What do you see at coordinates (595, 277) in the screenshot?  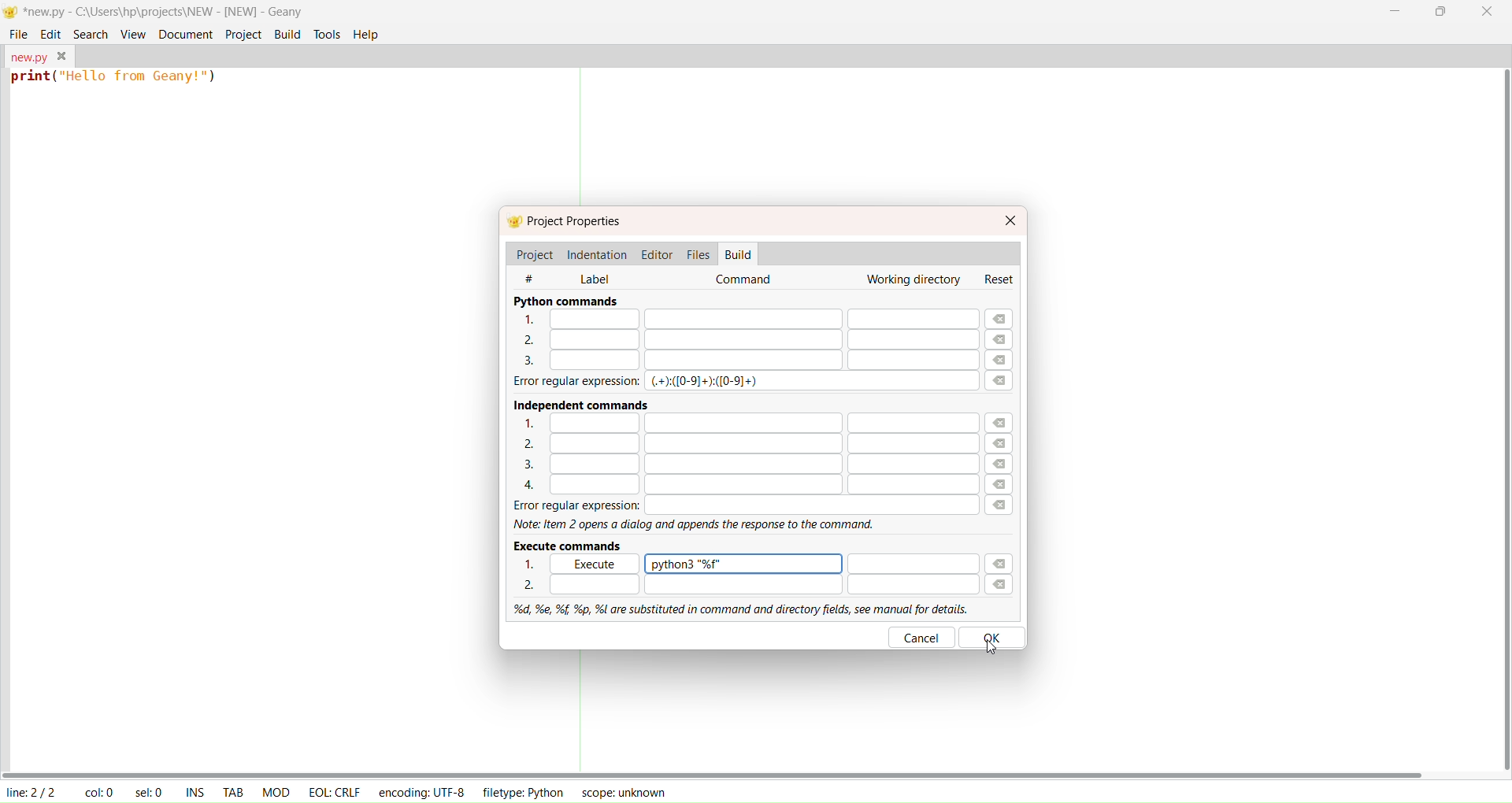 I see `label` at bounding box center [595, 277].